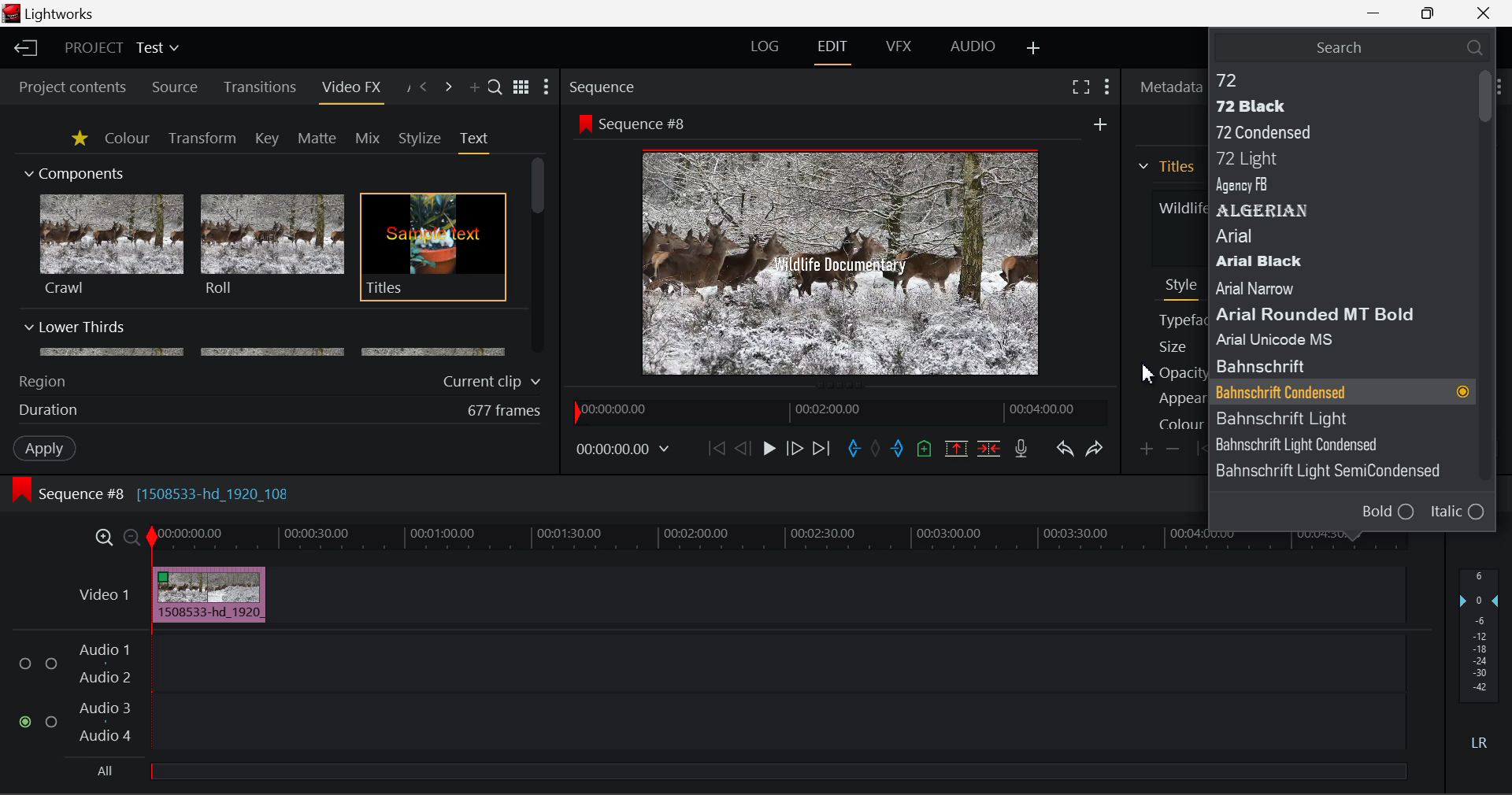 The height and width of the screenshot is (795, 1512). What do you see at coordinates (1145, 375) in the screenshot?
I see `cursor` at bounding box center [1145, 375].